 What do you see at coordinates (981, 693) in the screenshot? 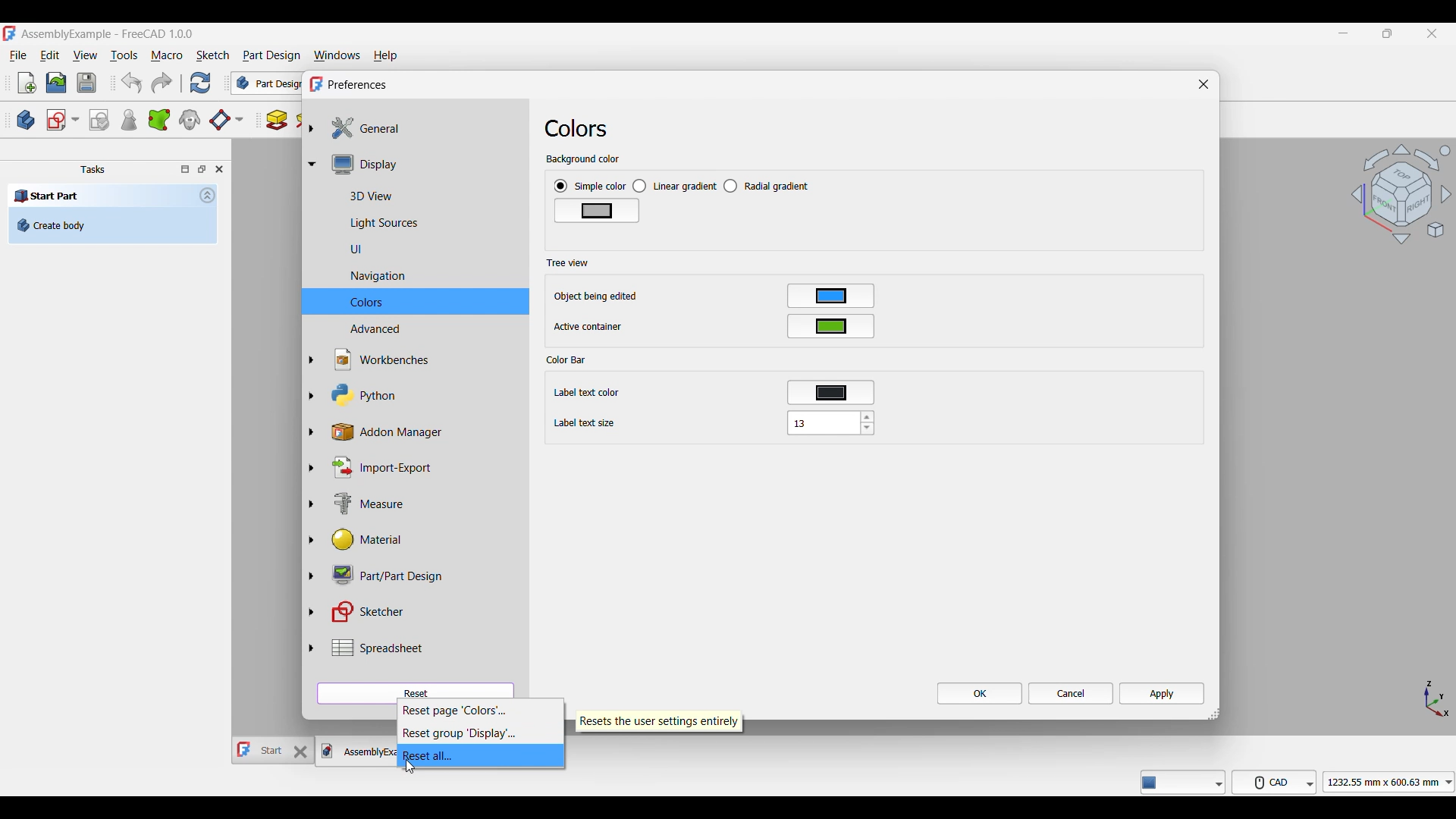
I see `OK` at bounding box center [981, 693].